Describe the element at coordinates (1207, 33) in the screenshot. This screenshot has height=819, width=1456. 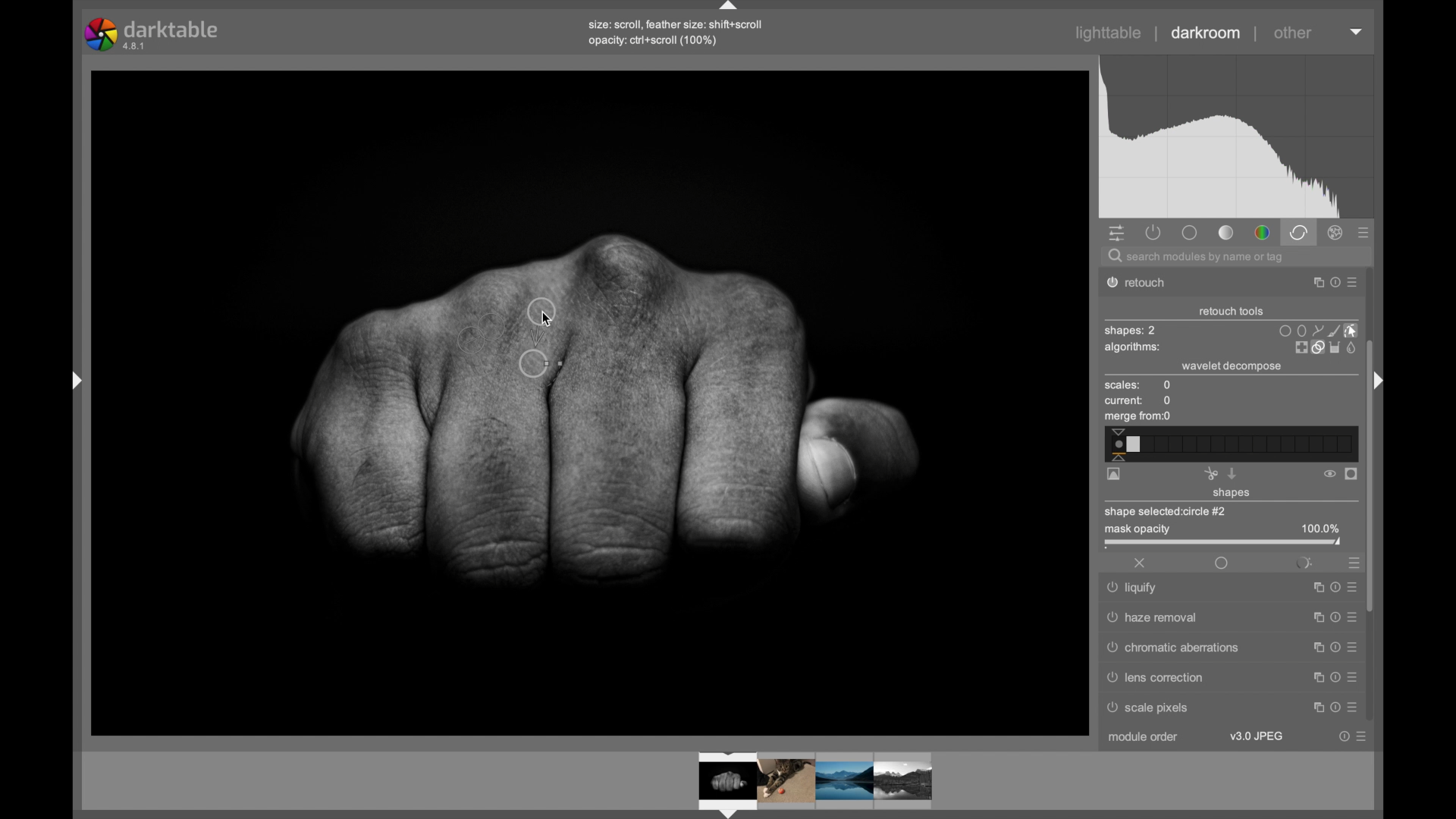
I see `darkroom` at that location.